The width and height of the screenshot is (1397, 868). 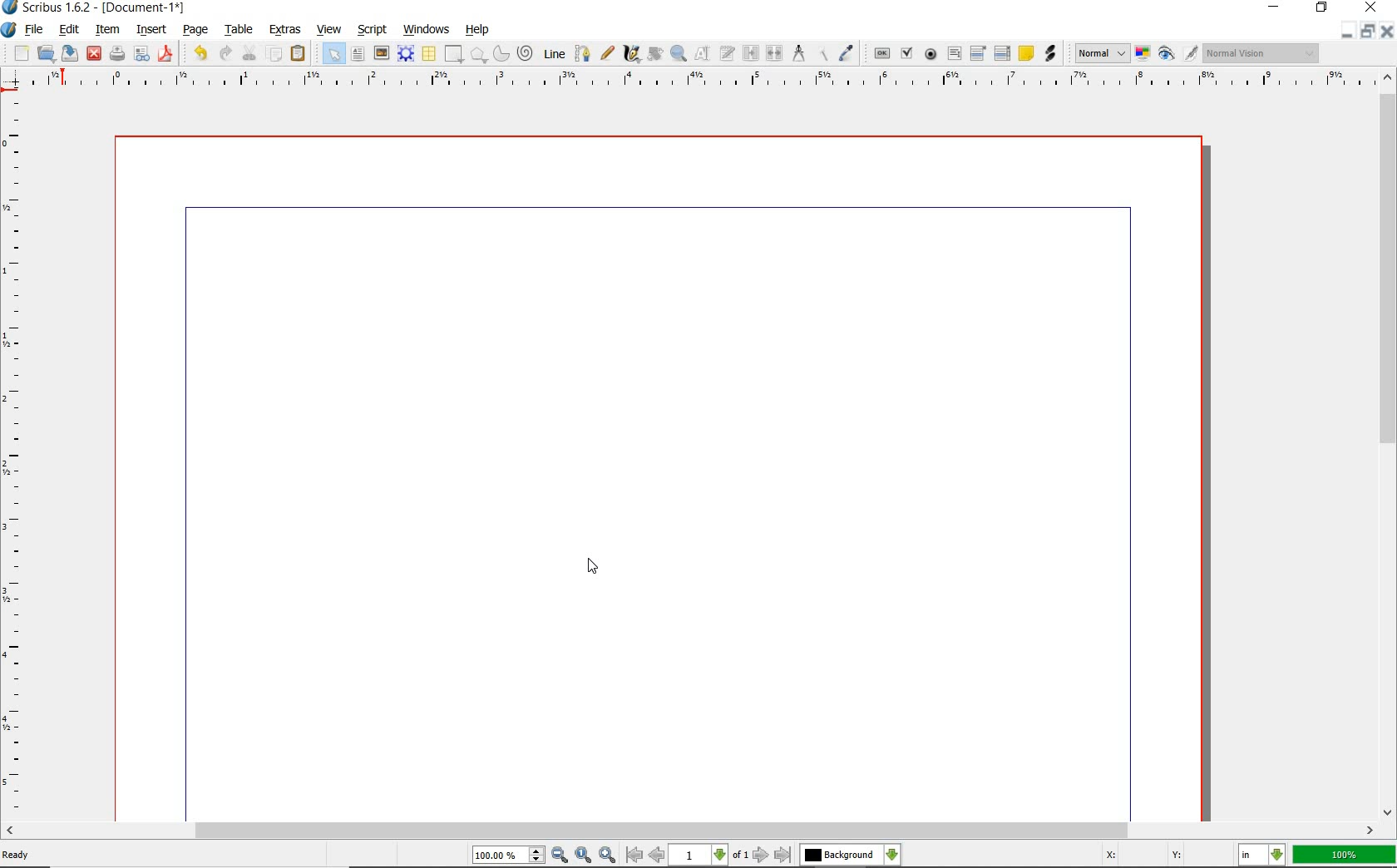 What do you see at coordinates (287, 30) in the screenshot?
I see `extras` at bounding box center [287, 30].